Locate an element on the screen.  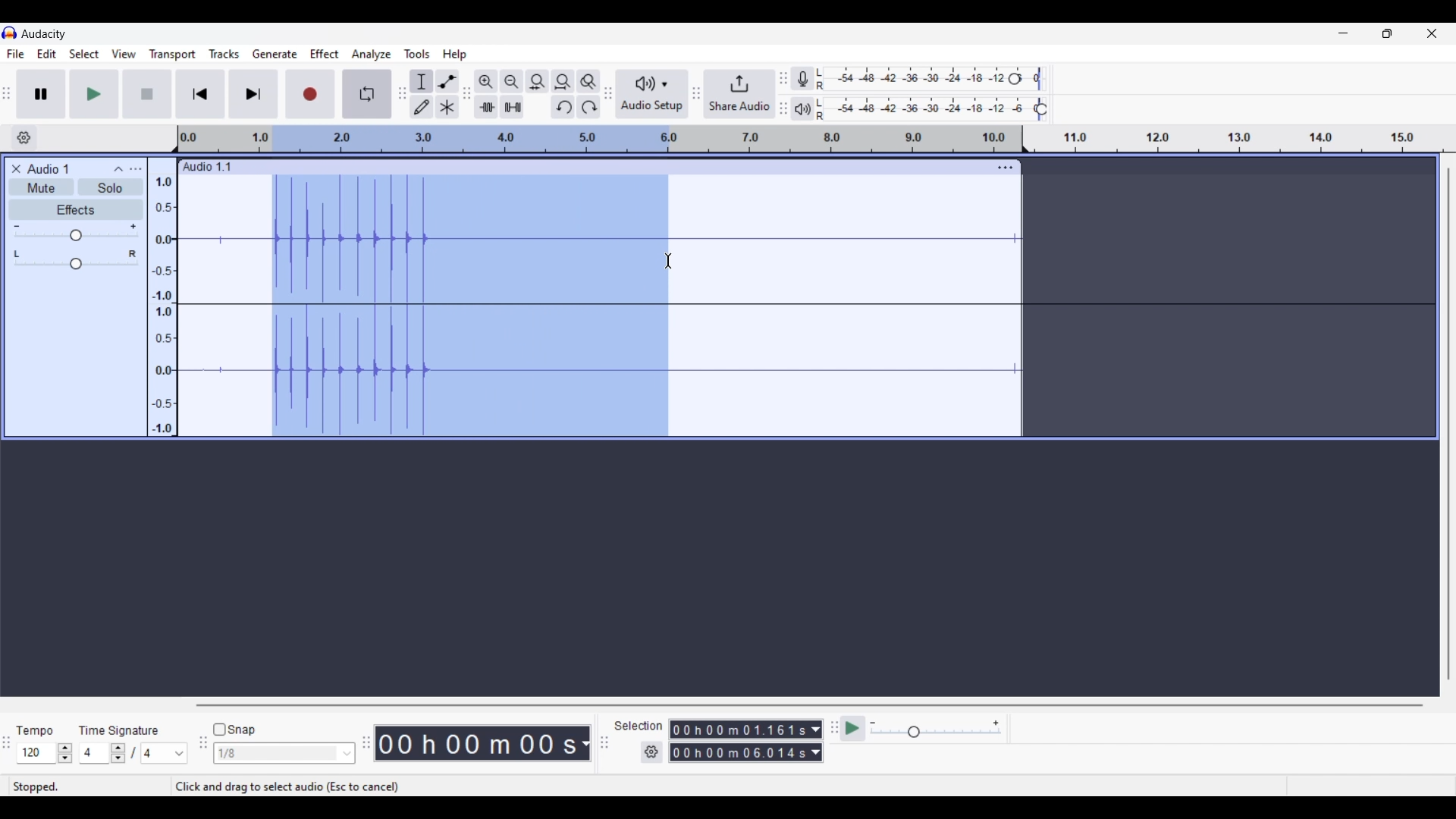
Name of recorded audio is located at coordinates (206, 167).